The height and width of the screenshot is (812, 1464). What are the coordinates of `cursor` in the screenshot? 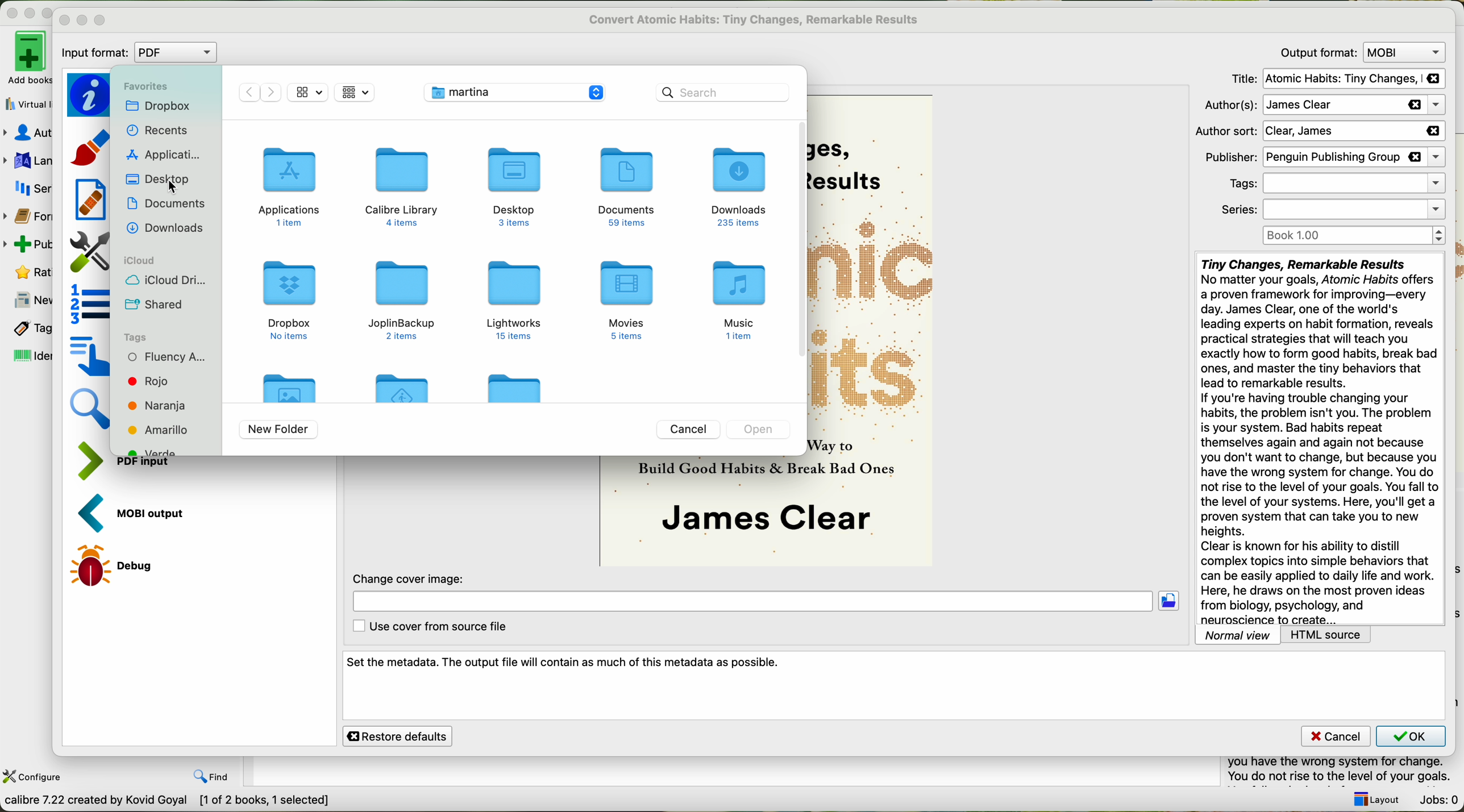 It's located at (173, 188).